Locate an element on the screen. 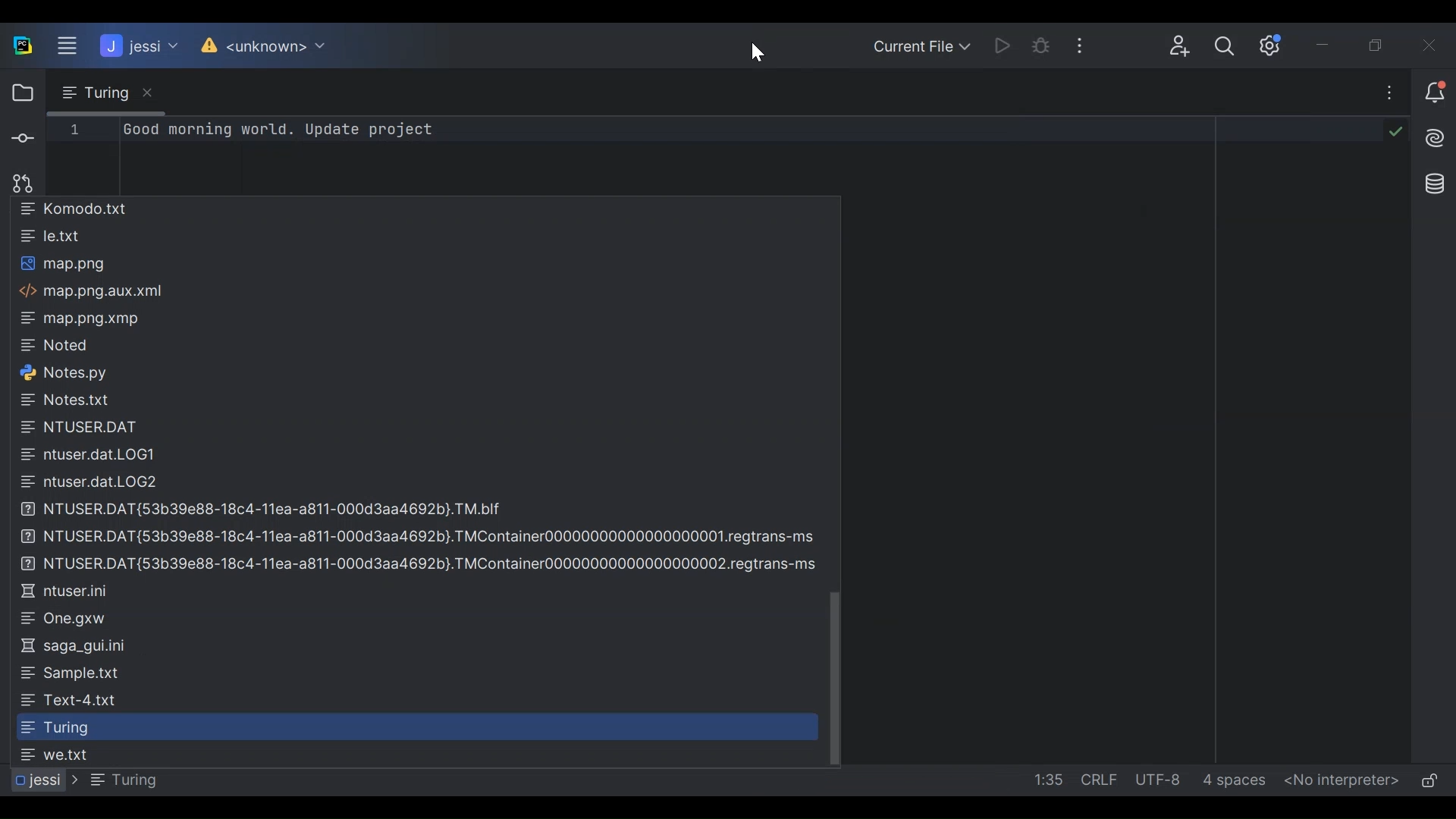 The height and width of the screenshot is (819, 1456). NTUSER.DAT{53b39e88-18c4-11ea-a811-000d3aa4692b}.TMContainer00000000000000000001.regtrans-ms is located at coordinates (422, 536).